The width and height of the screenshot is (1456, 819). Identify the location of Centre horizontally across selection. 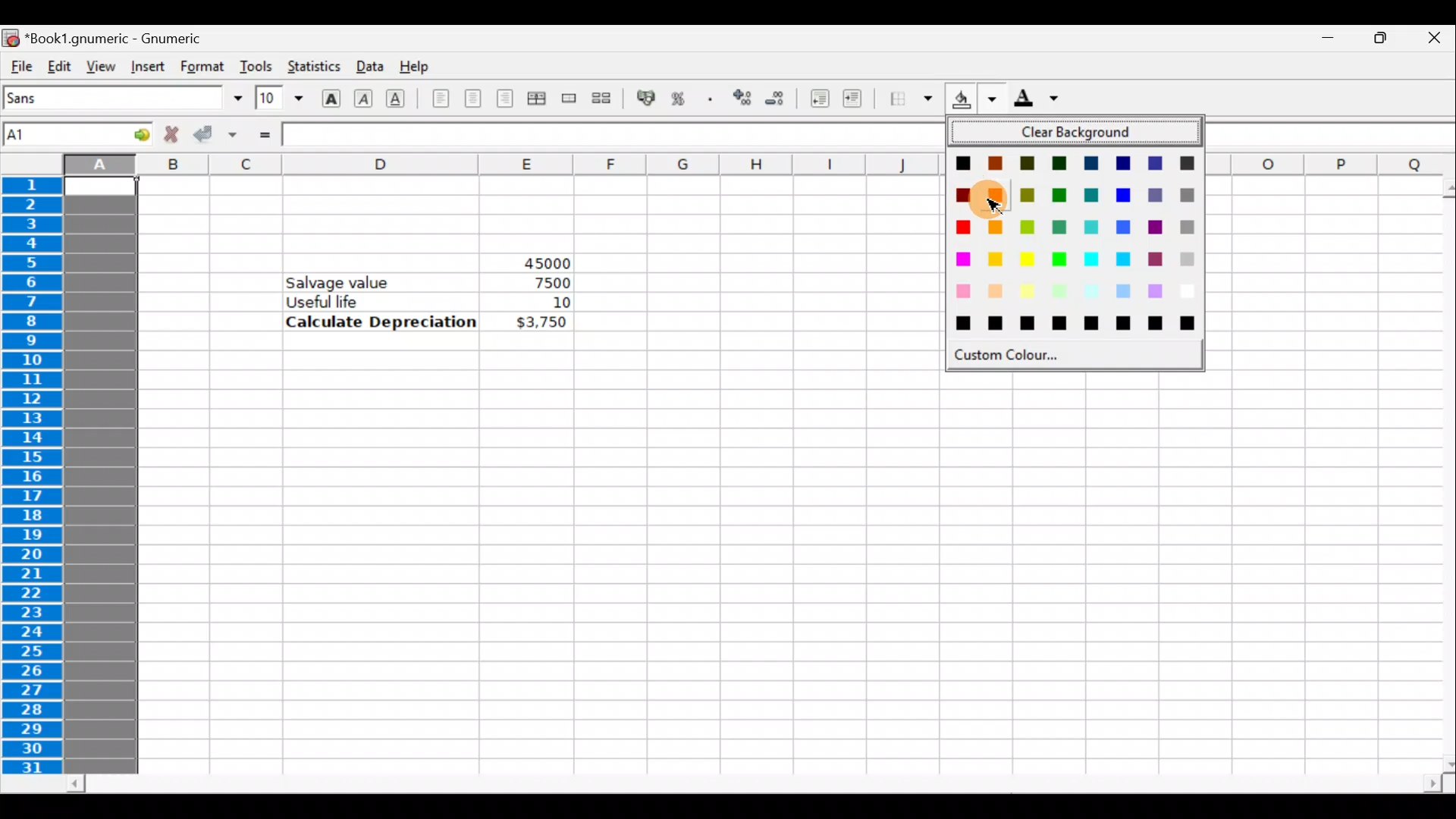
(536, 101).